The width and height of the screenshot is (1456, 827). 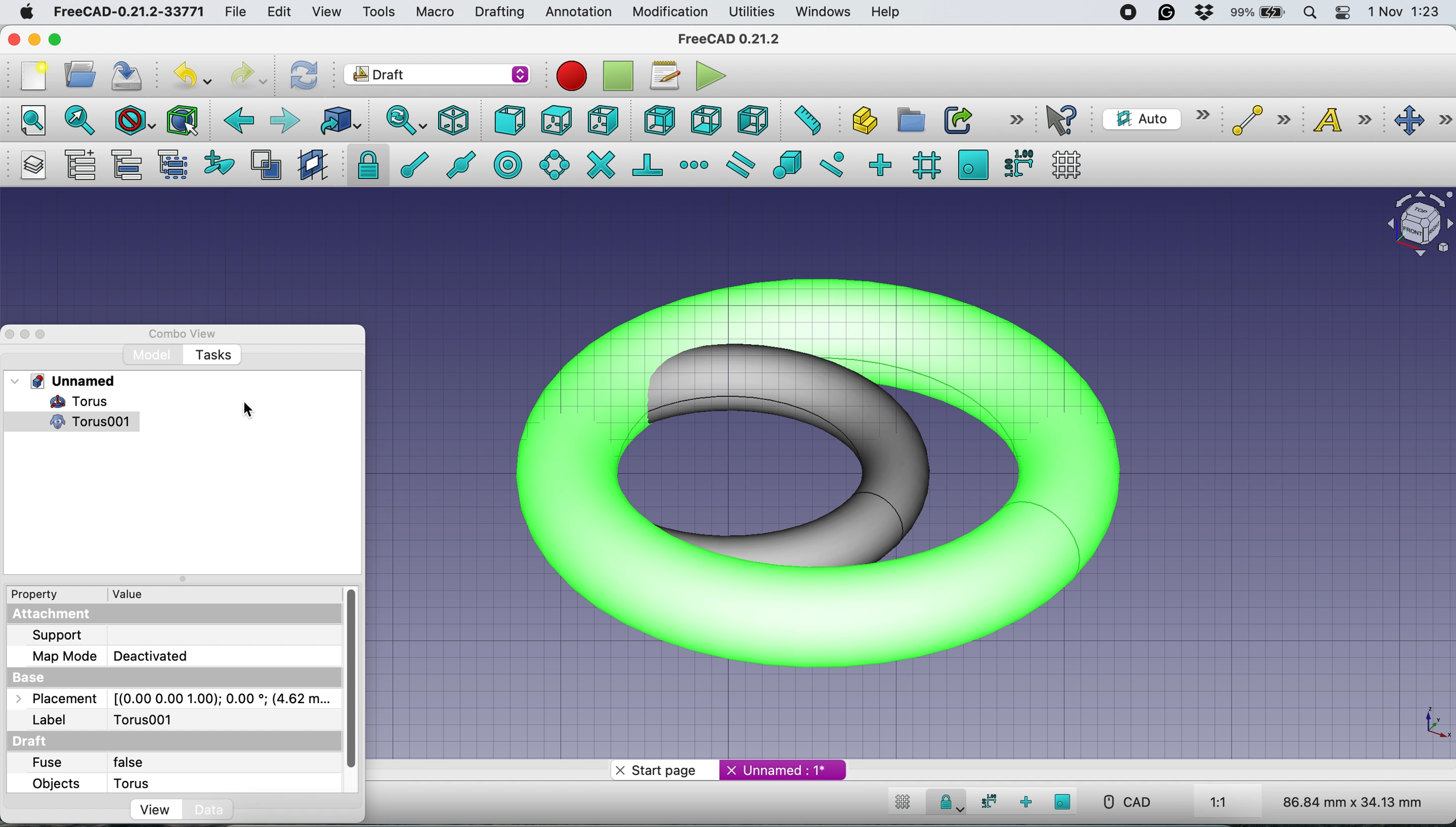 I want to click on line, so click(x=1257, y=121).